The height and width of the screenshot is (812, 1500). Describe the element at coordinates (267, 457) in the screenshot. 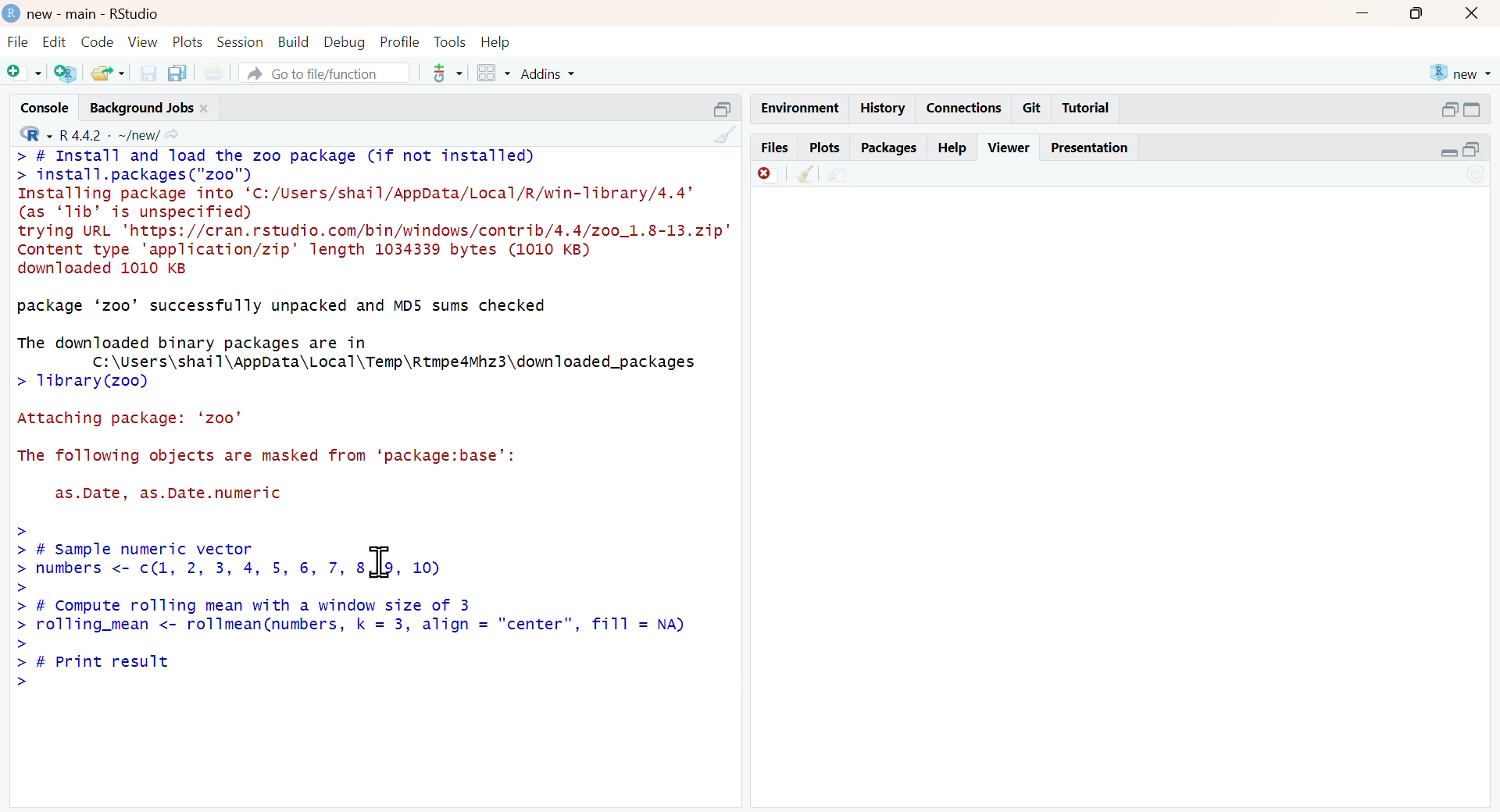

I see `The following objects are masked from ‘package:base’:` at that location.